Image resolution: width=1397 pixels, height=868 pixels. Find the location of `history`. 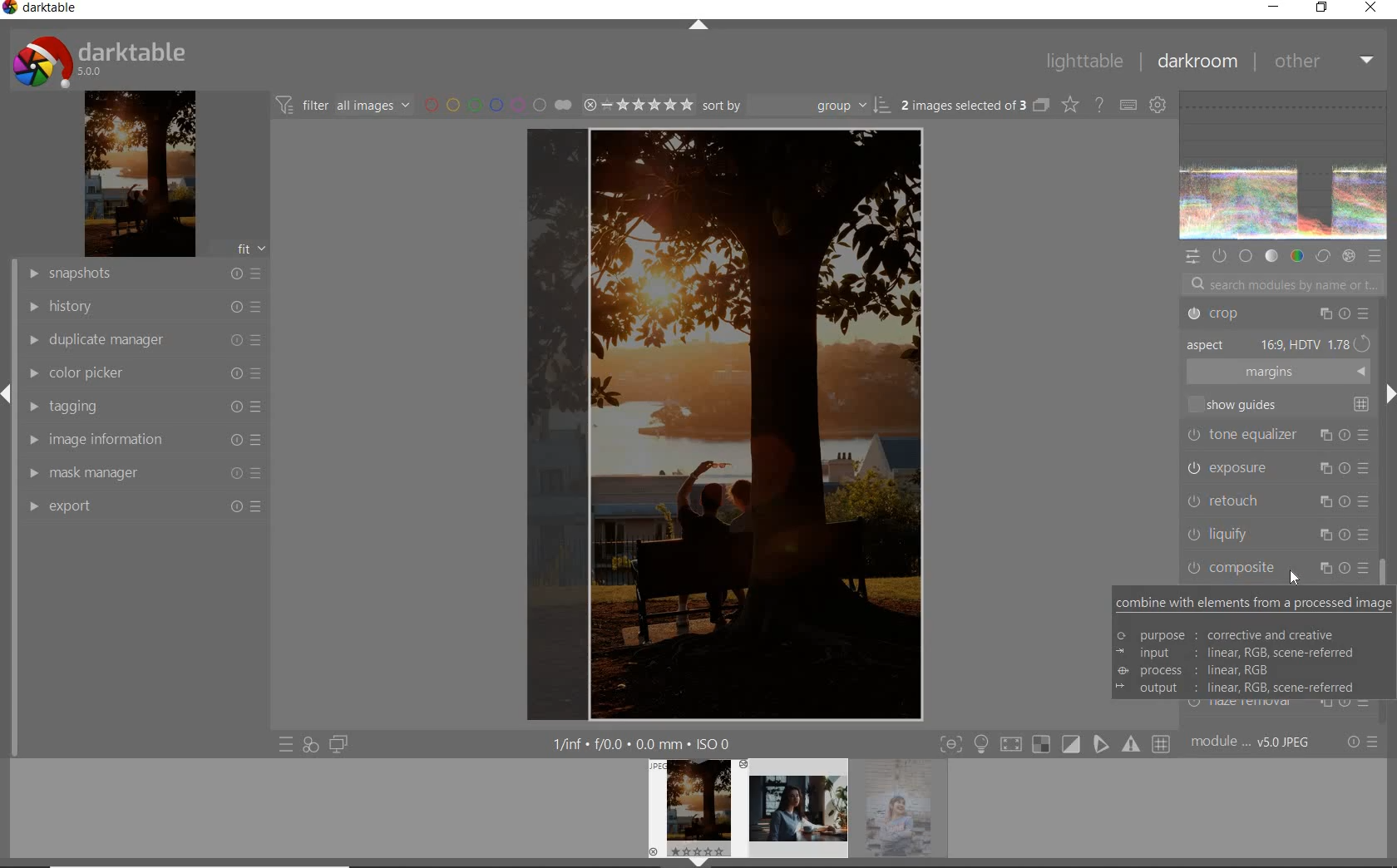

history is located at coordinates (146, 308).